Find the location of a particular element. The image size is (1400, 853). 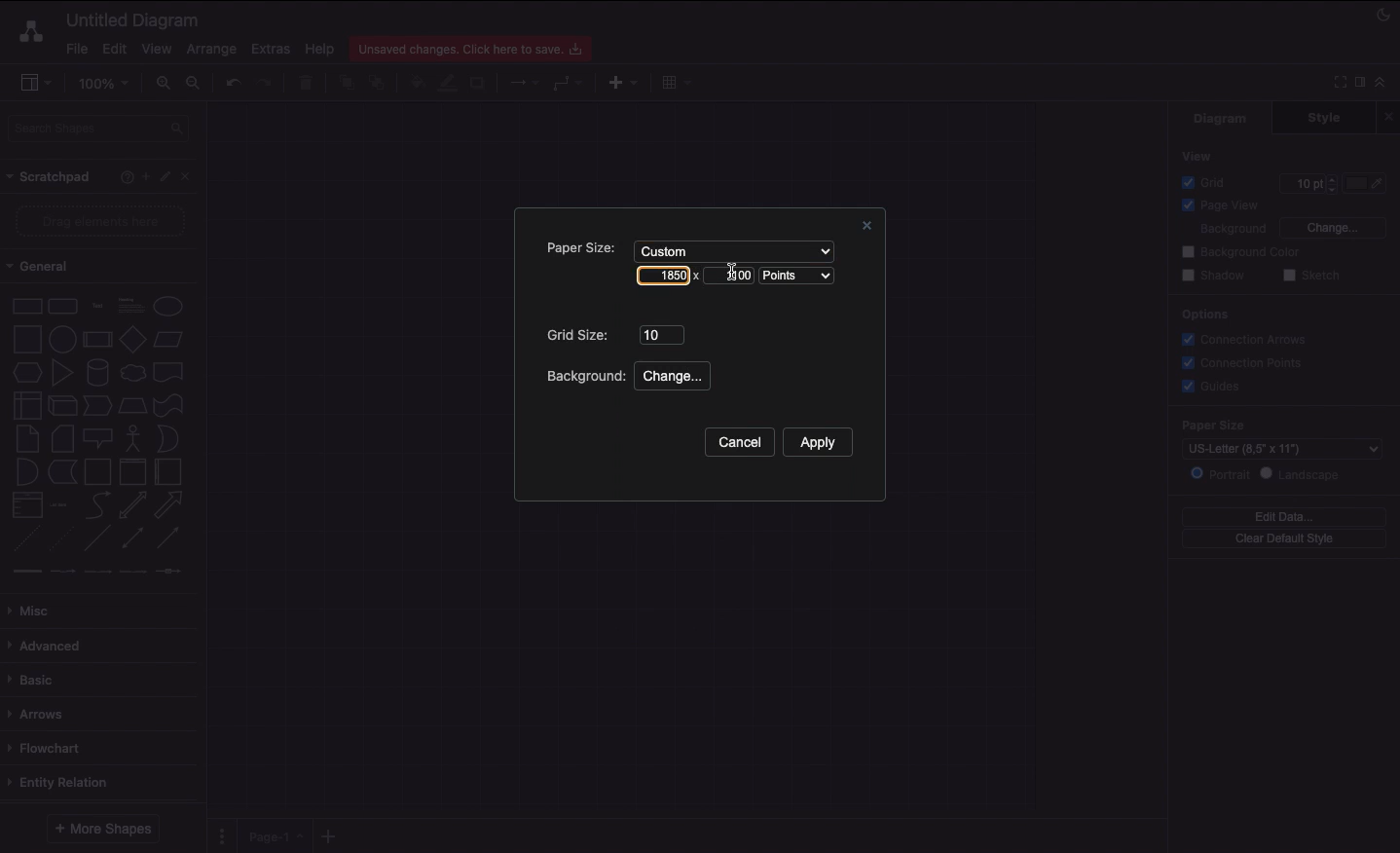

Diamond is located at coordinates (132, 340).